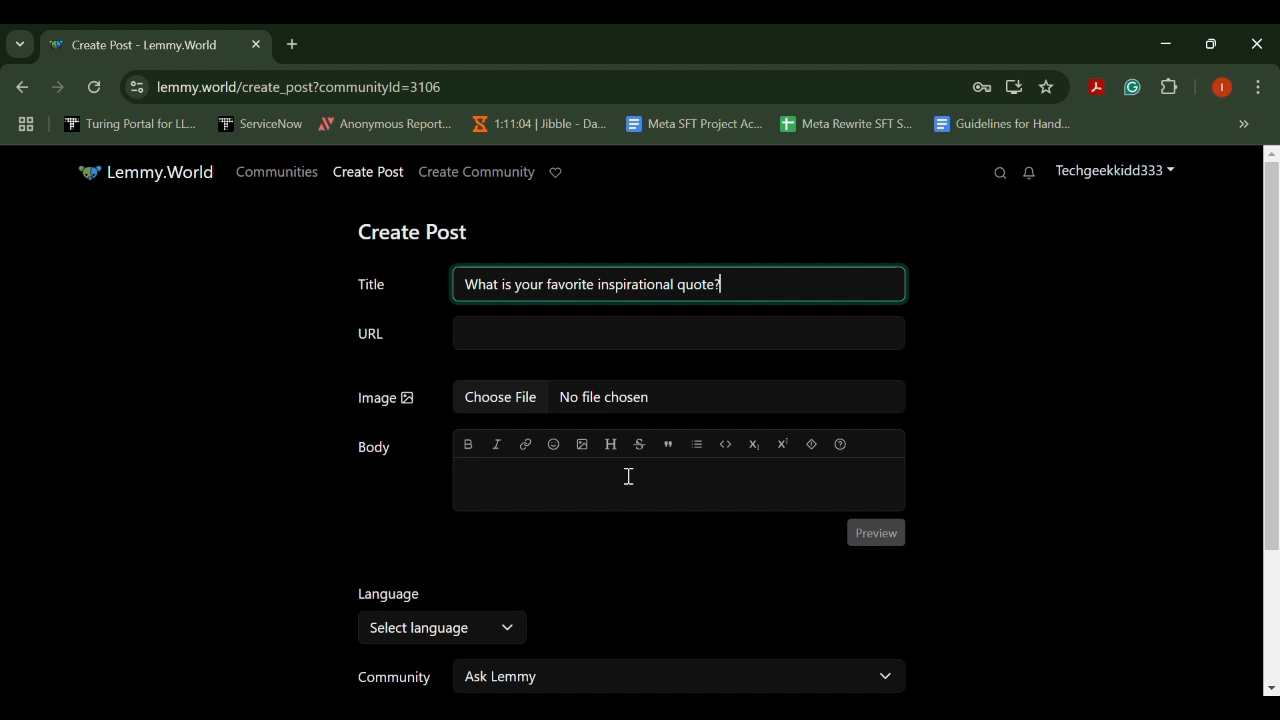 This screenshot has width=1280, height=720. I want to click on Image: No file chosen, so click(630, 400).